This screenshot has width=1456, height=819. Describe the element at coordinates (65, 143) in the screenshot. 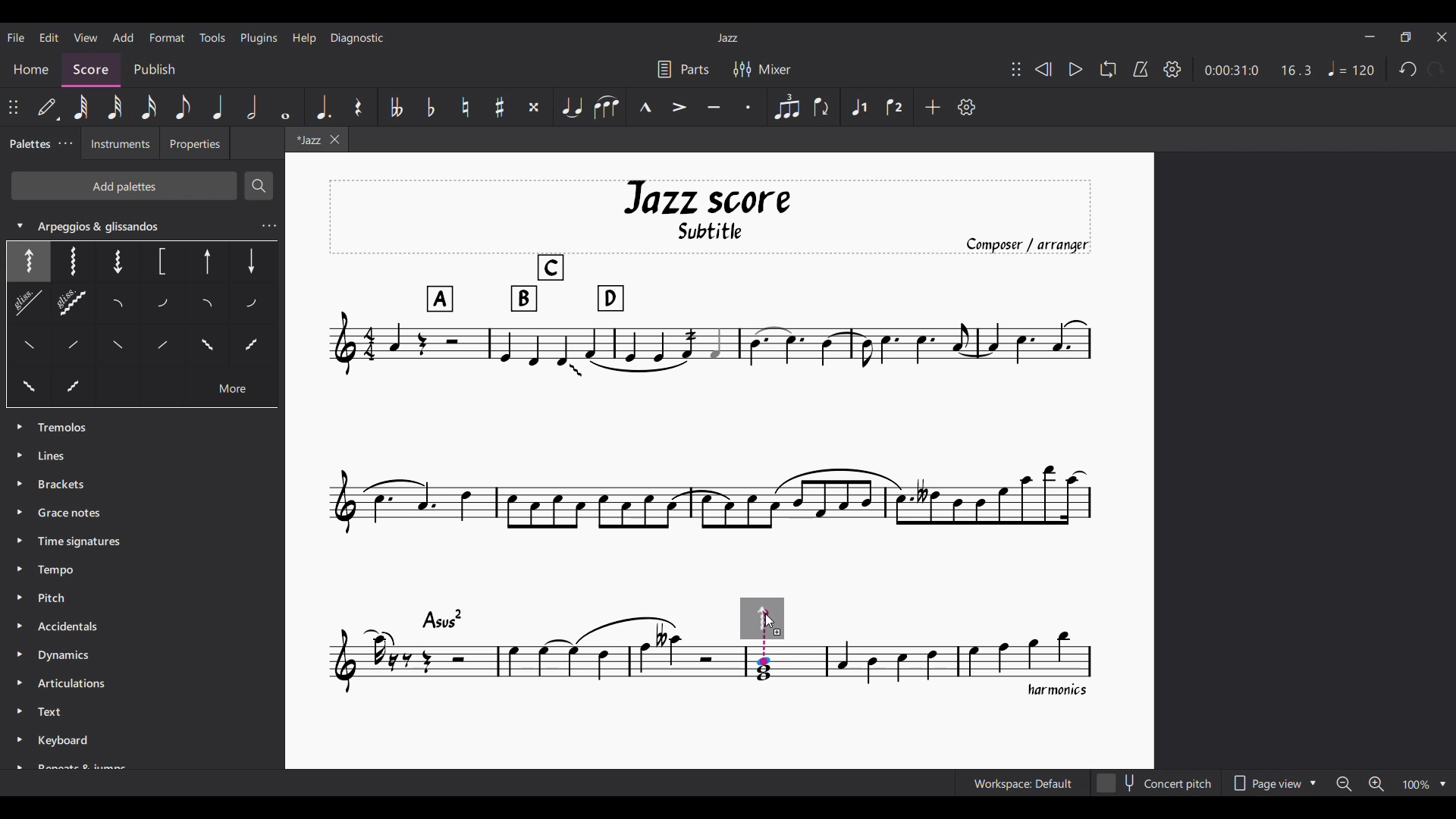

I see `Palette settings` at that location.